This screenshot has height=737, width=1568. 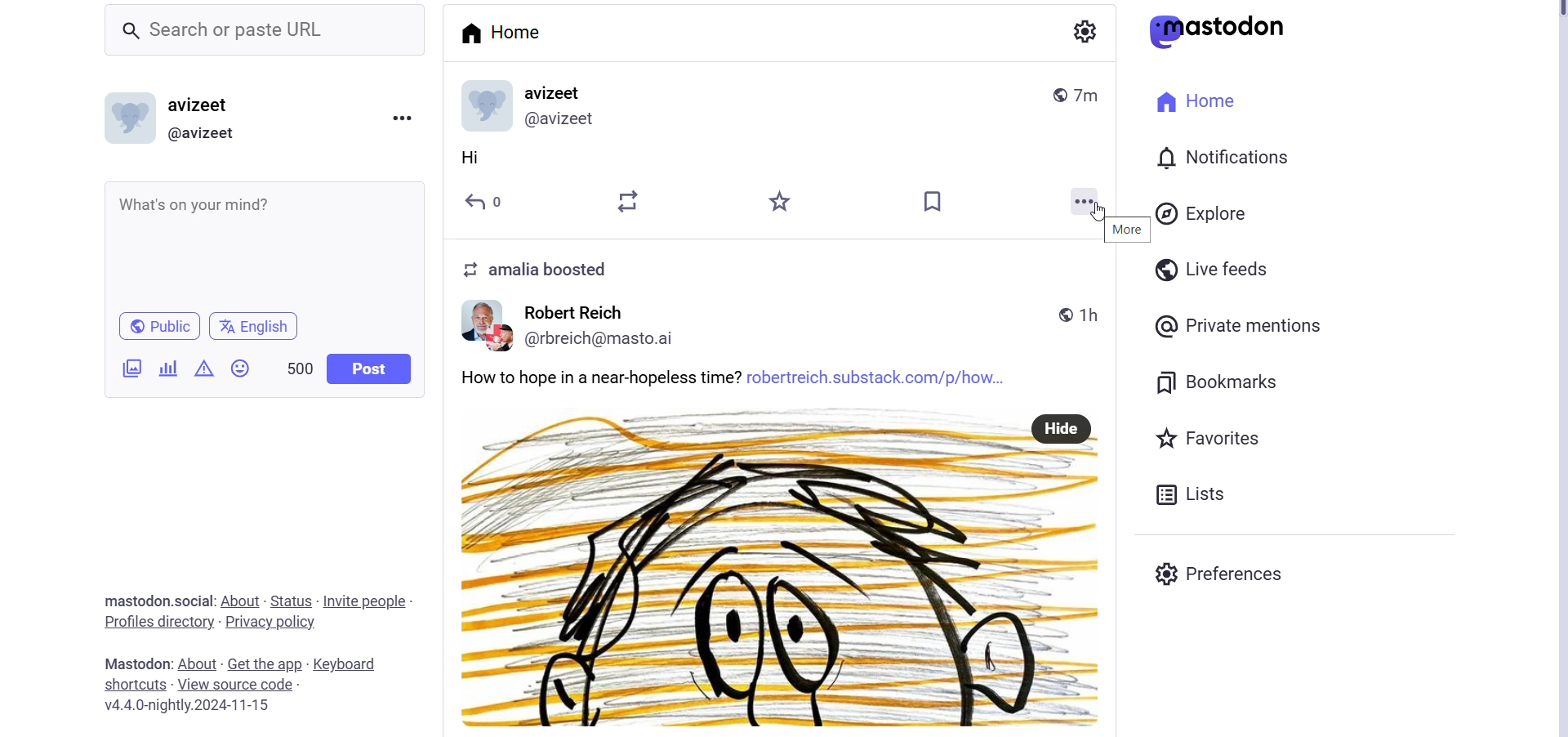 I want to click on Menu, so click(x=401, y=118).